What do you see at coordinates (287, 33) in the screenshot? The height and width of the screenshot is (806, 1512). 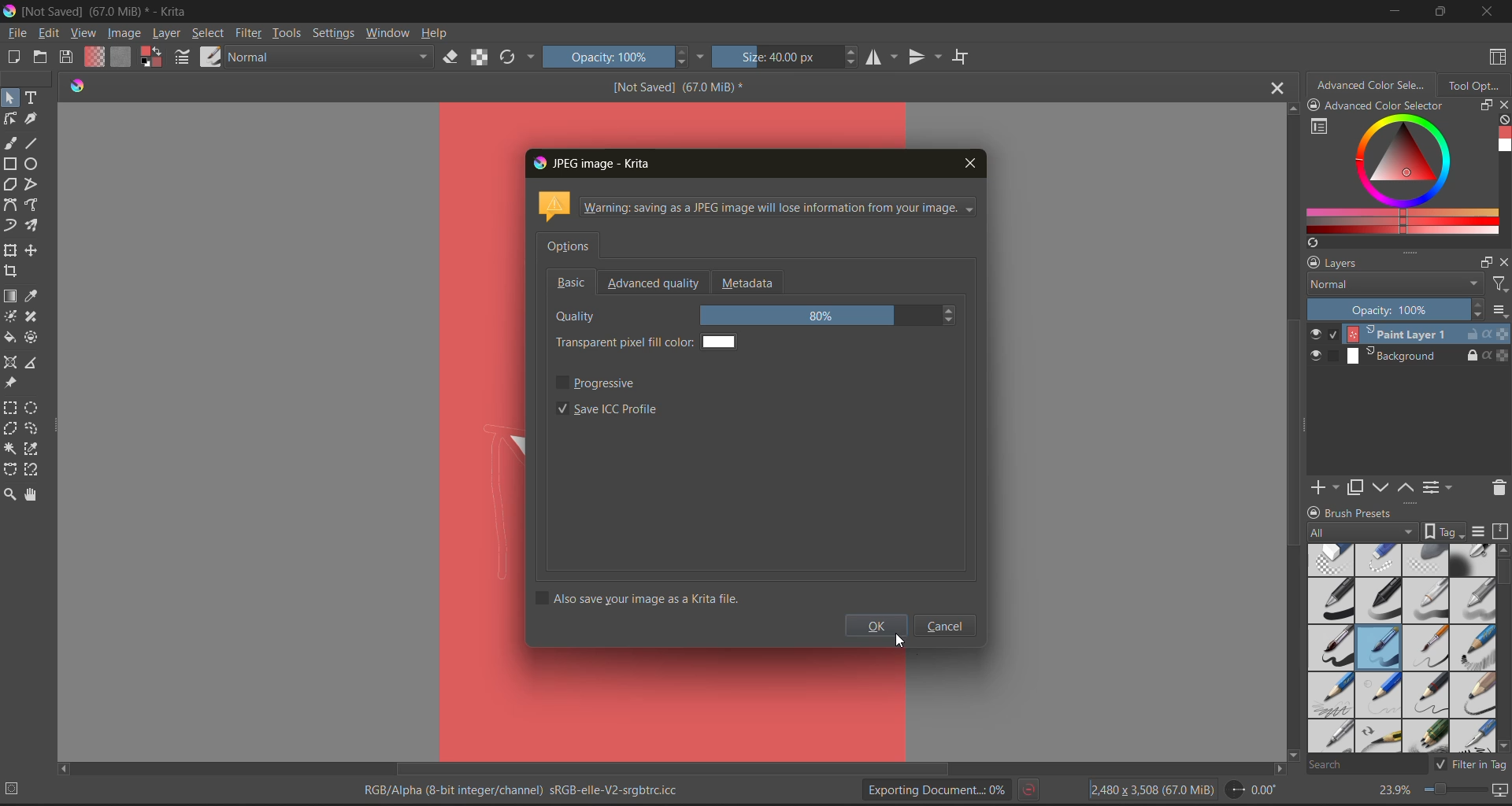 I see `tools` at bounding box center [287, 33].